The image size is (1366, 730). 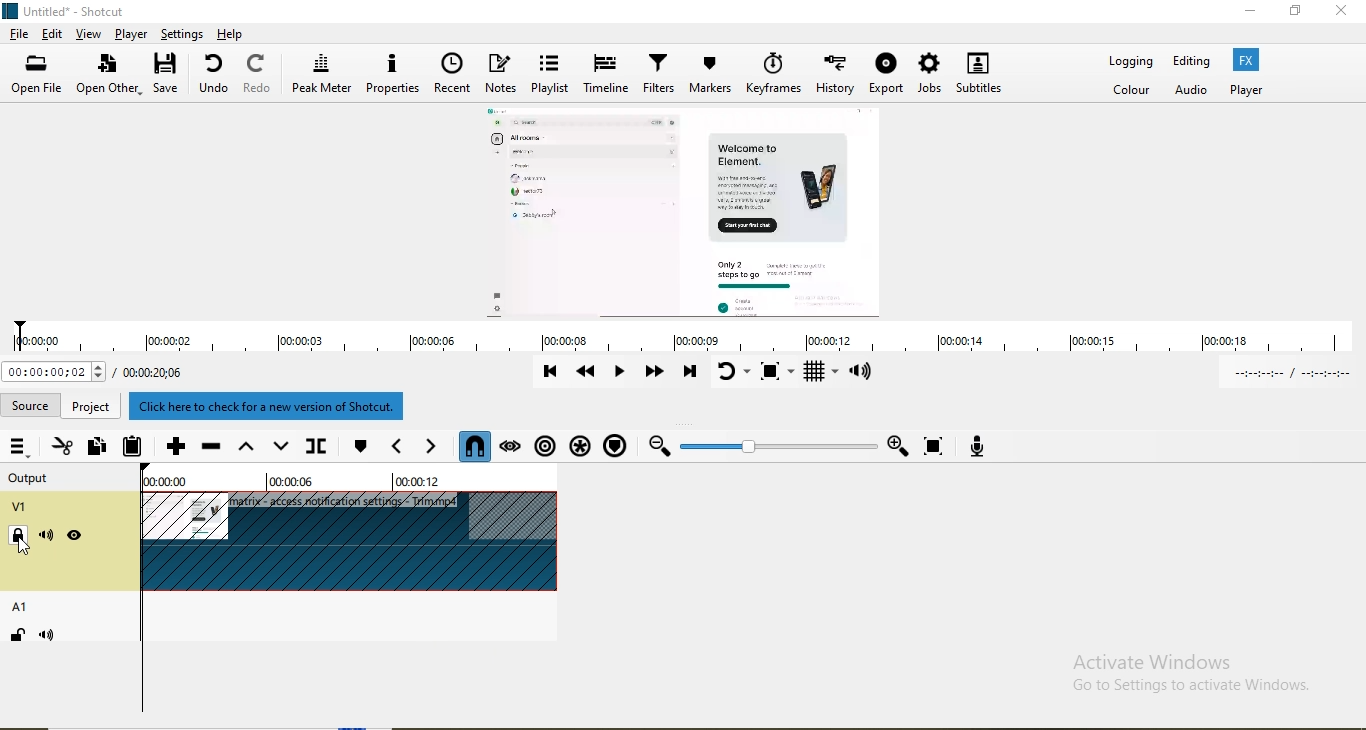 What do you see at coordinates (501, 76) in the screenshot?
I see `notes` at bounding box center [501, 76].